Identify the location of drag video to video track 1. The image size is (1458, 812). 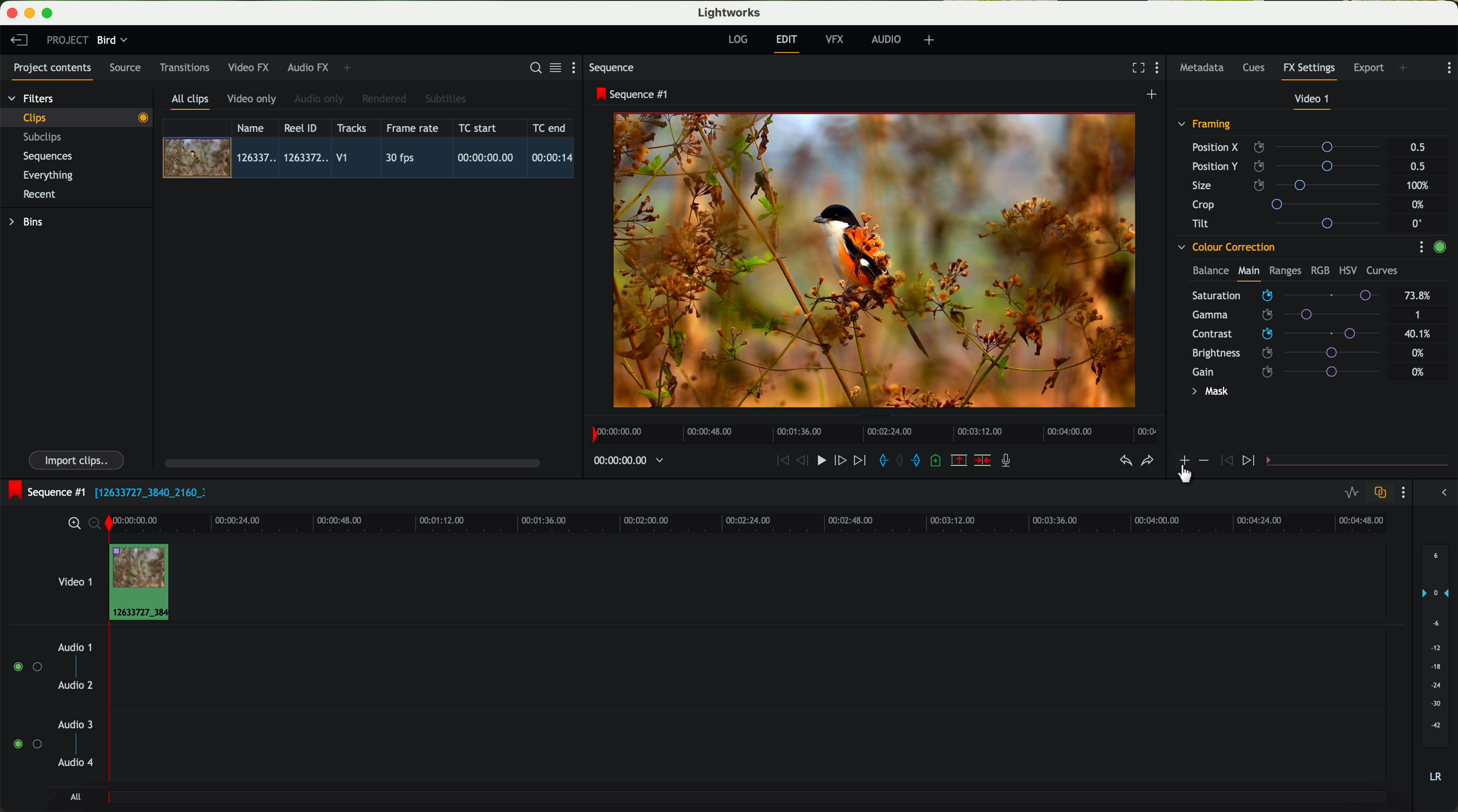
(144, 583).